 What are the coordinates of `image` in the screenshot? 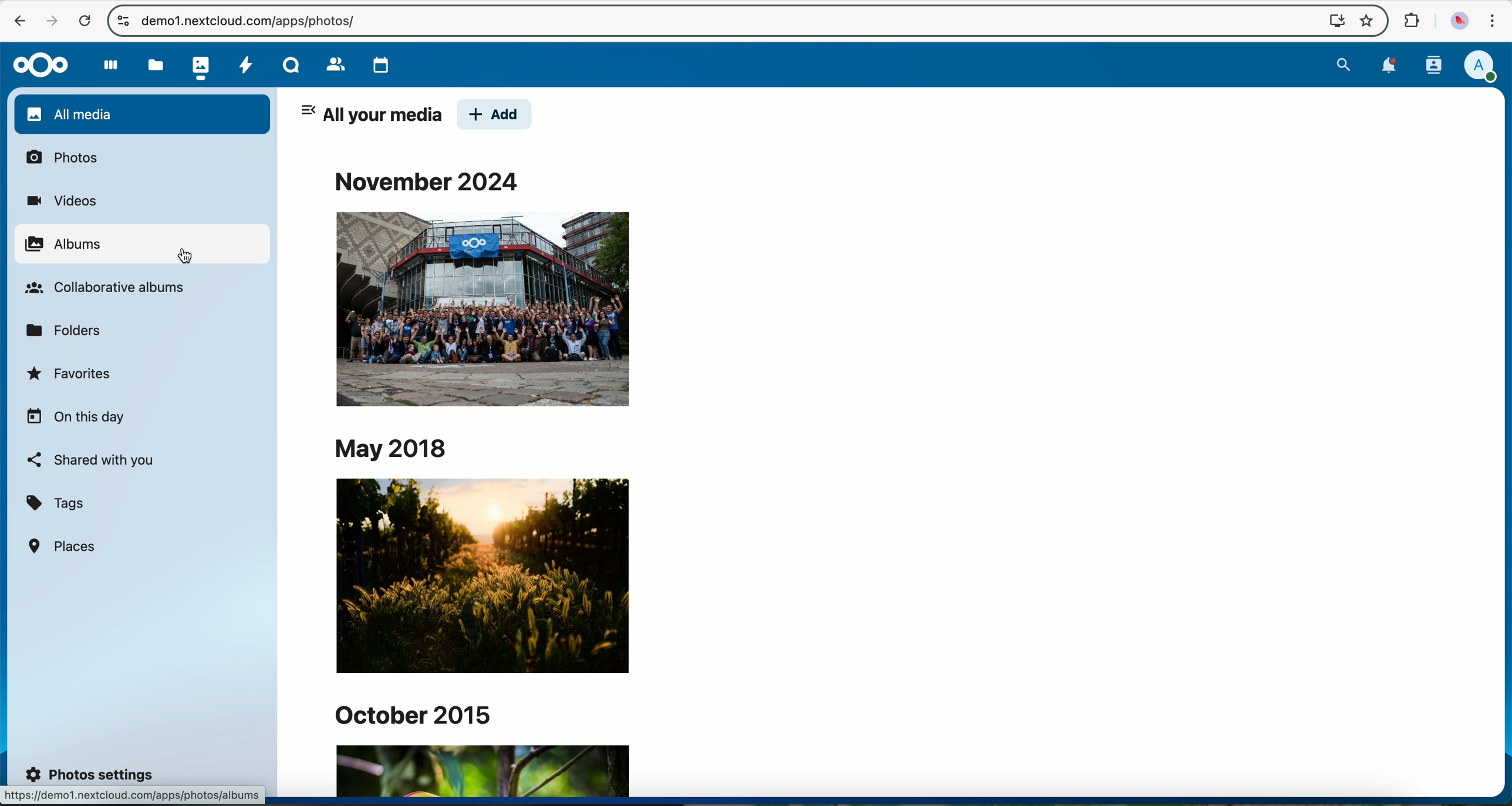 It's located at (483, 575).